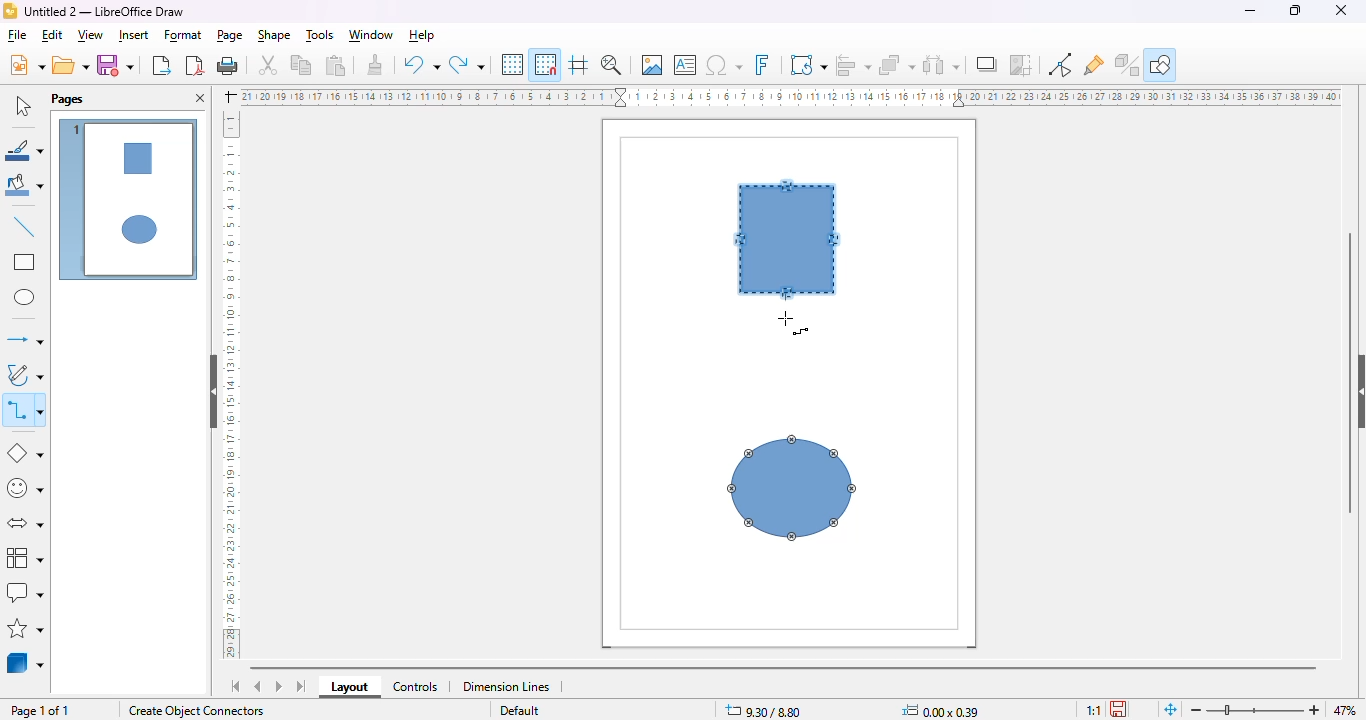 The image size is (1366, 720). Describe the element at coordinates (764, 710) in the screenshot. I see `9.30/8.80` at that location.